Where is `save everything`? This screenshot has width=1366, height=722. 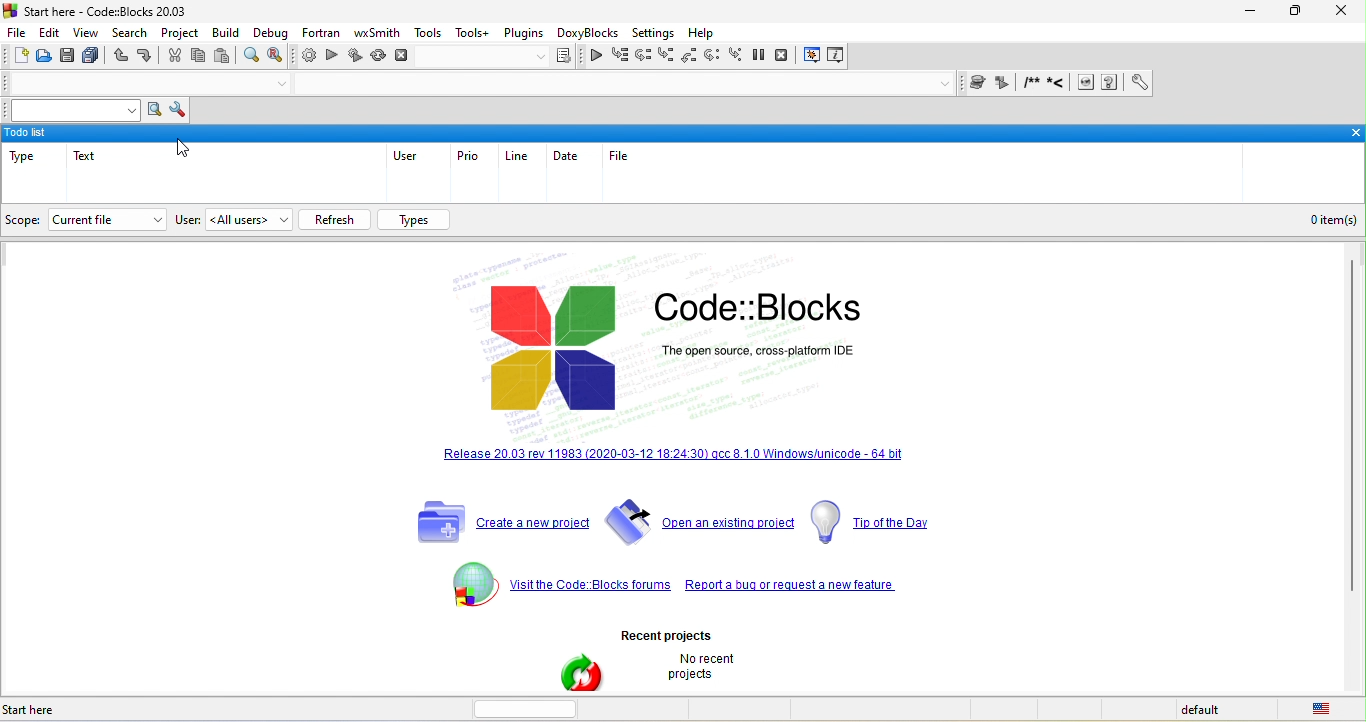 save everything is located at coordinates (93, 56).